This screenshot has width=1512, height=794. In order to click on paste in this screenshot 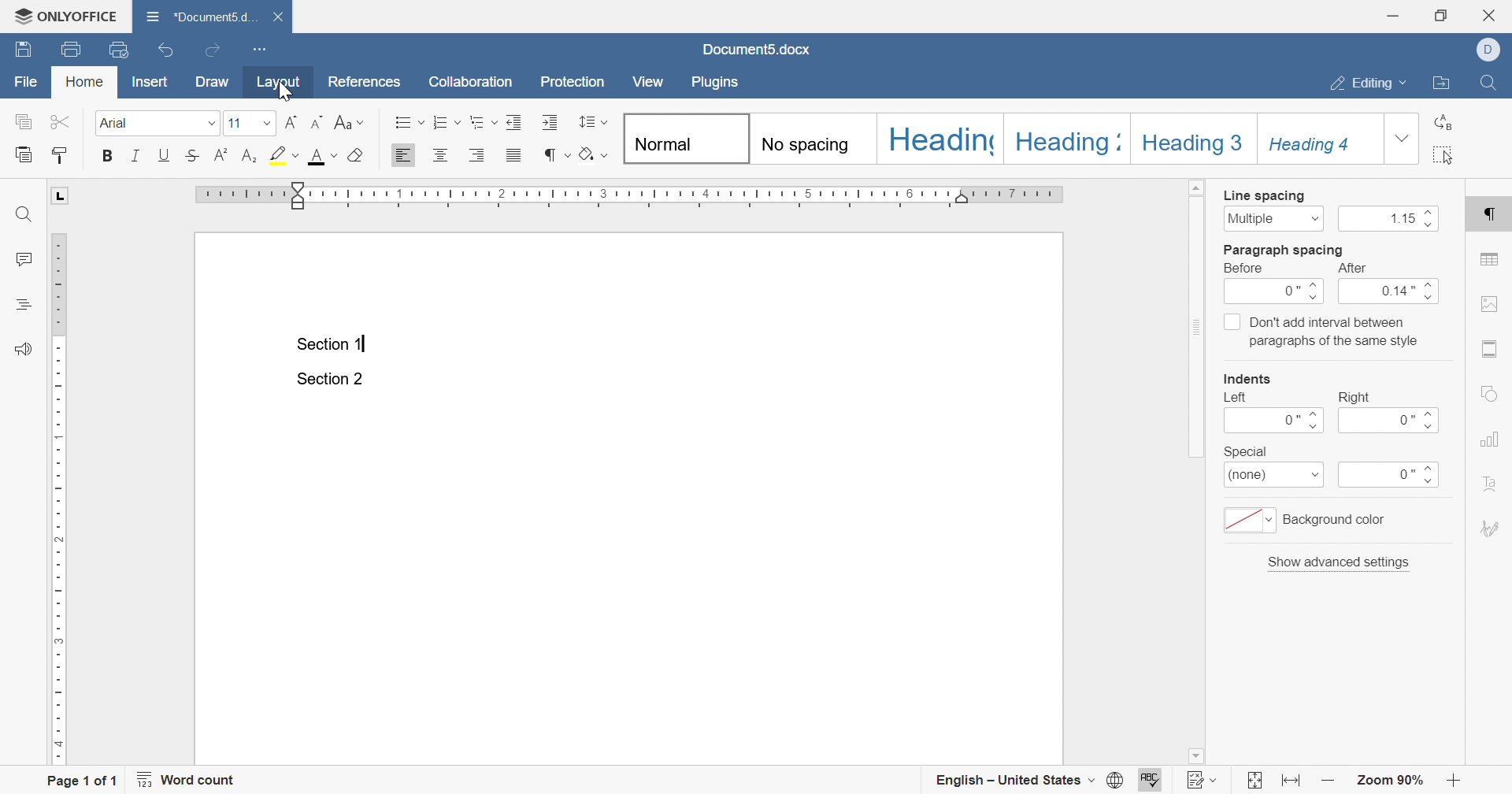, I will do `click(24, 153)`.